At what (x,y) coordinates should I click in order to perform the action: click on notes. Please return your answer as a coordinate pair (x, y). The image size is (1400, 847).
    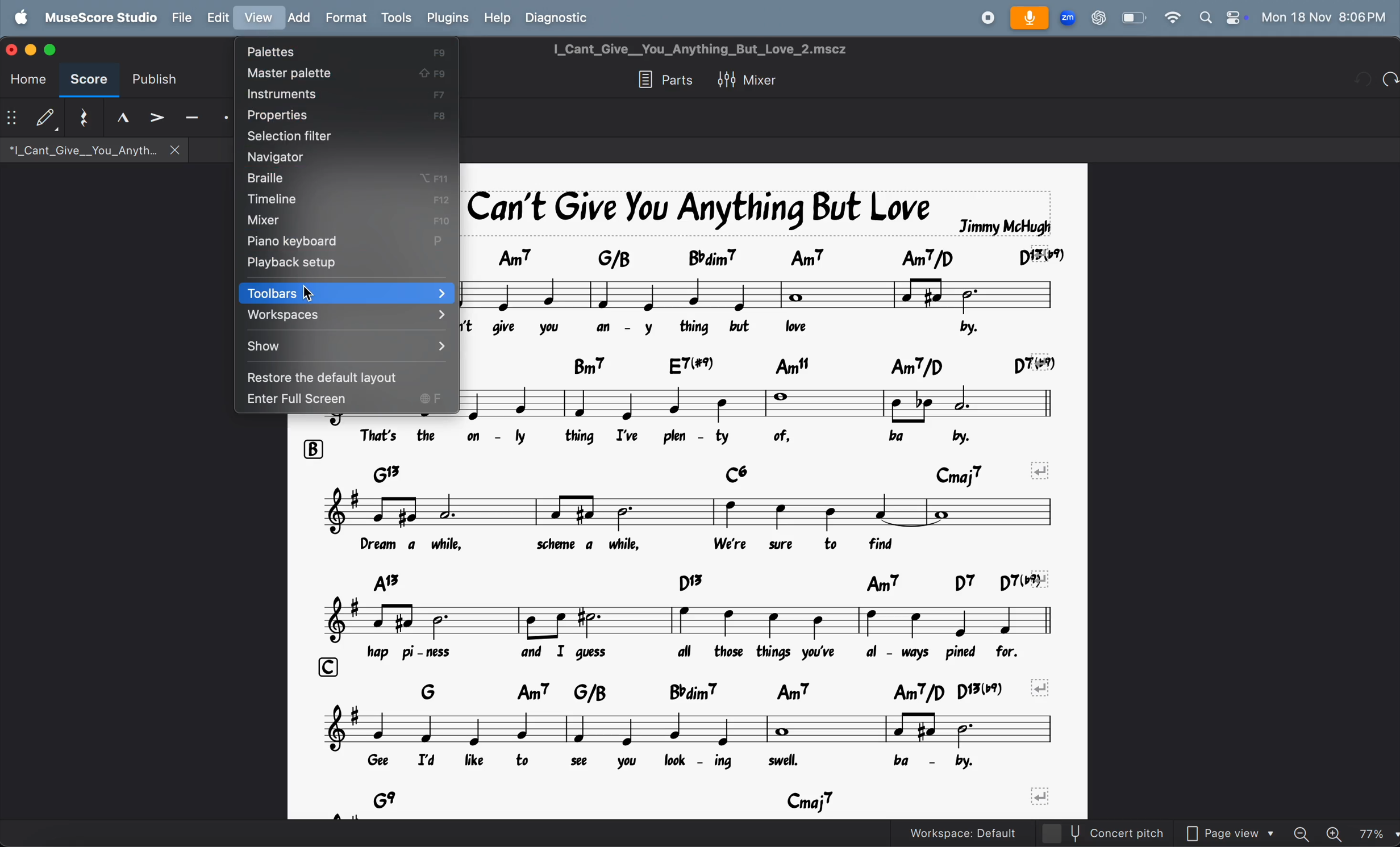
    Looking at the image, I should click on (761, 294).